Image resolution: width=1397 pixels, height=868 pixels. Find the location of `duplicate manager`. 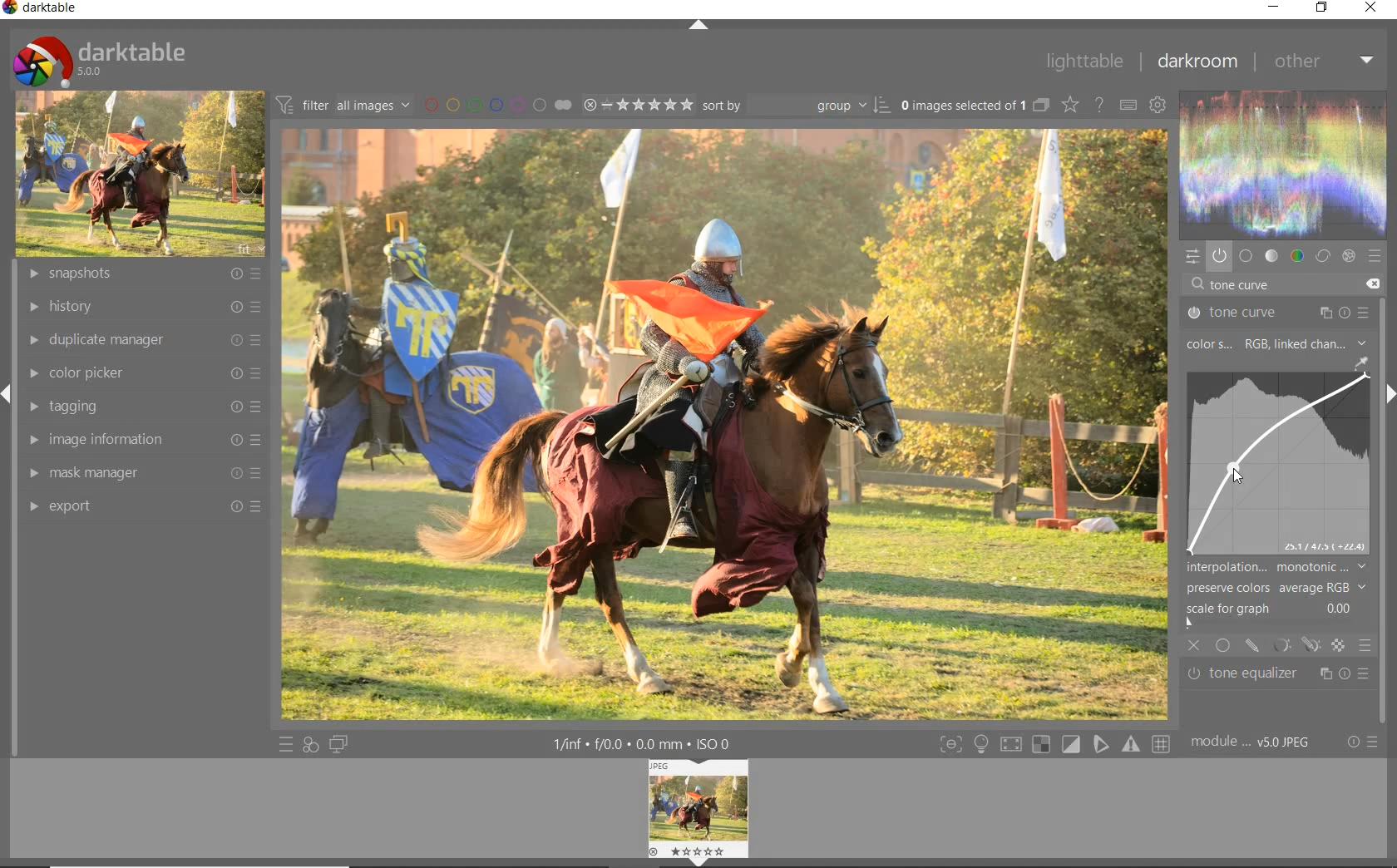

duplicate manager is located at coordinates (144, 339).